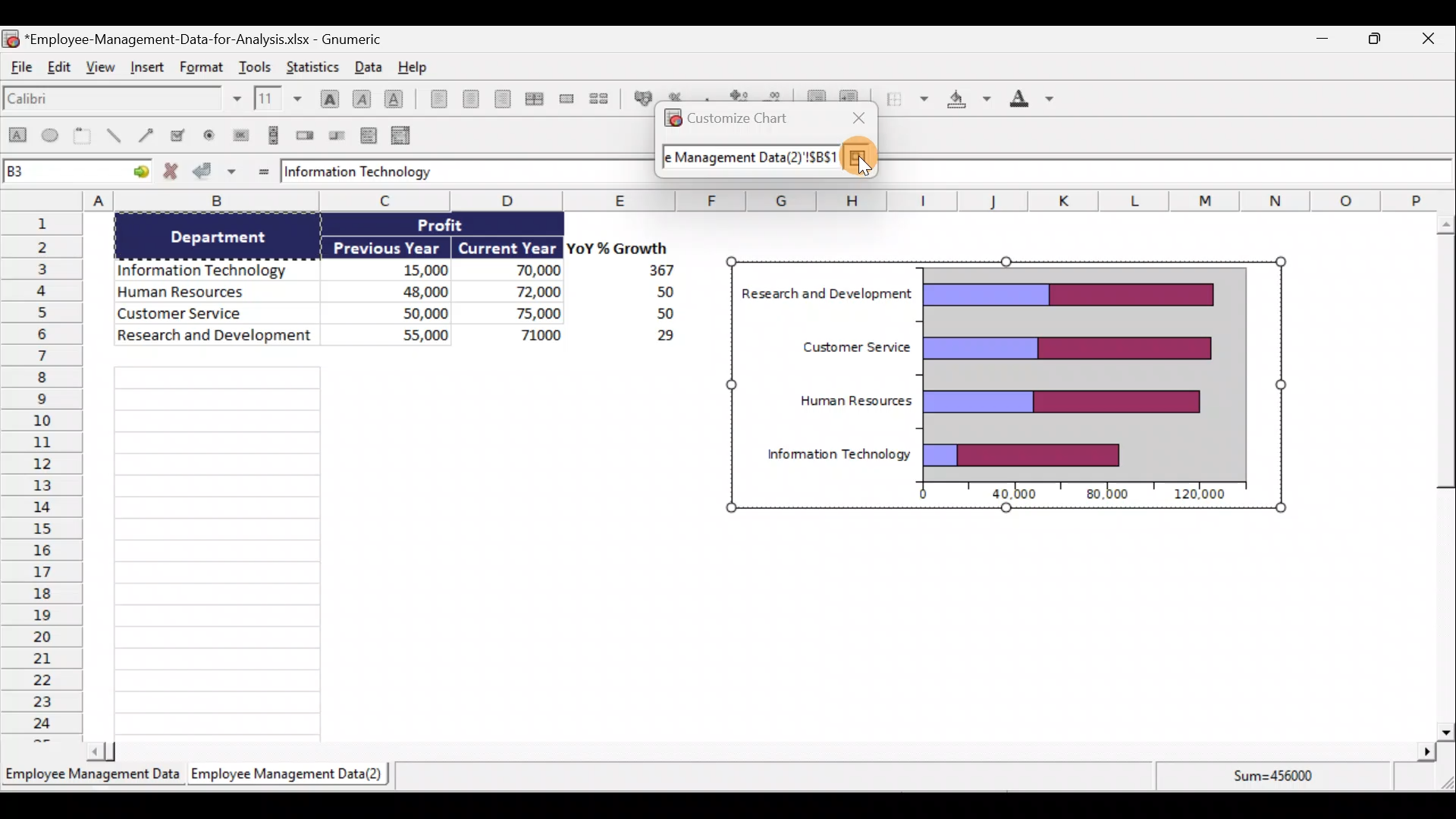 Image resolution: width=1456 pixels, height=819 pixels. What do you see at coordinates (42, 478) in the screenshot?
I see `Rows` at bounding box center [42, 478].